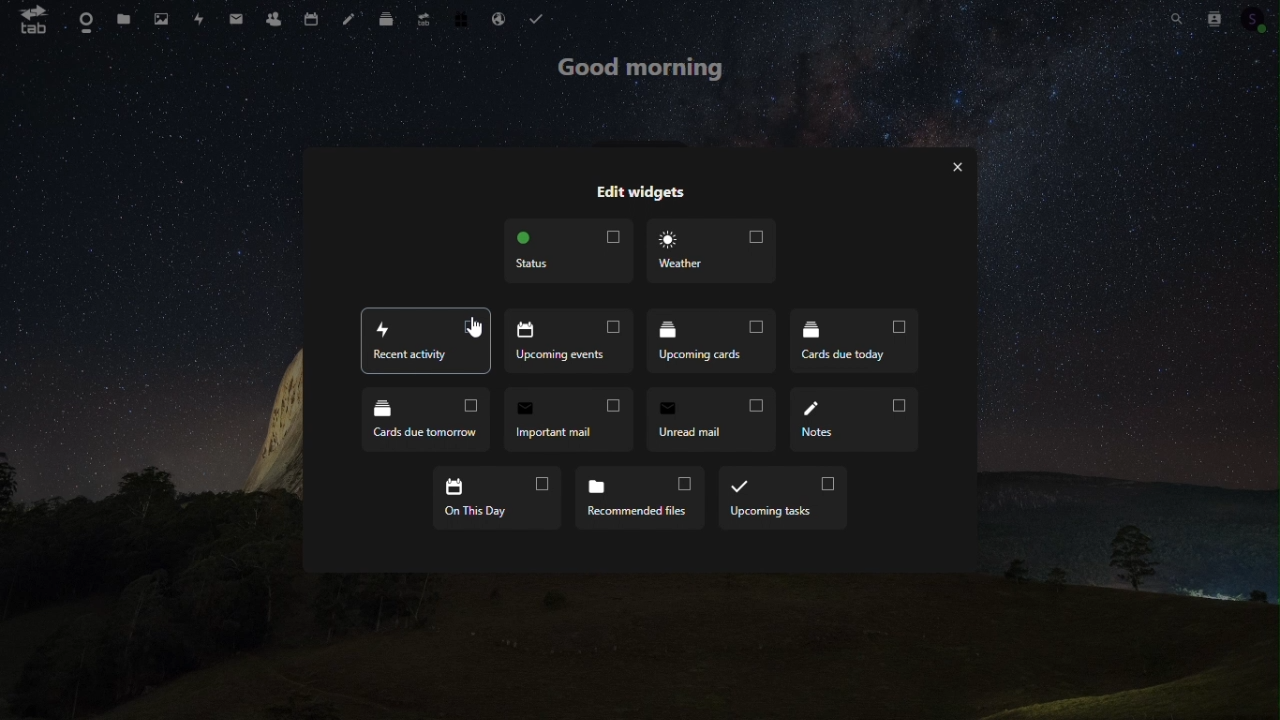  I want to click on Recommended files, so click(639, 494).